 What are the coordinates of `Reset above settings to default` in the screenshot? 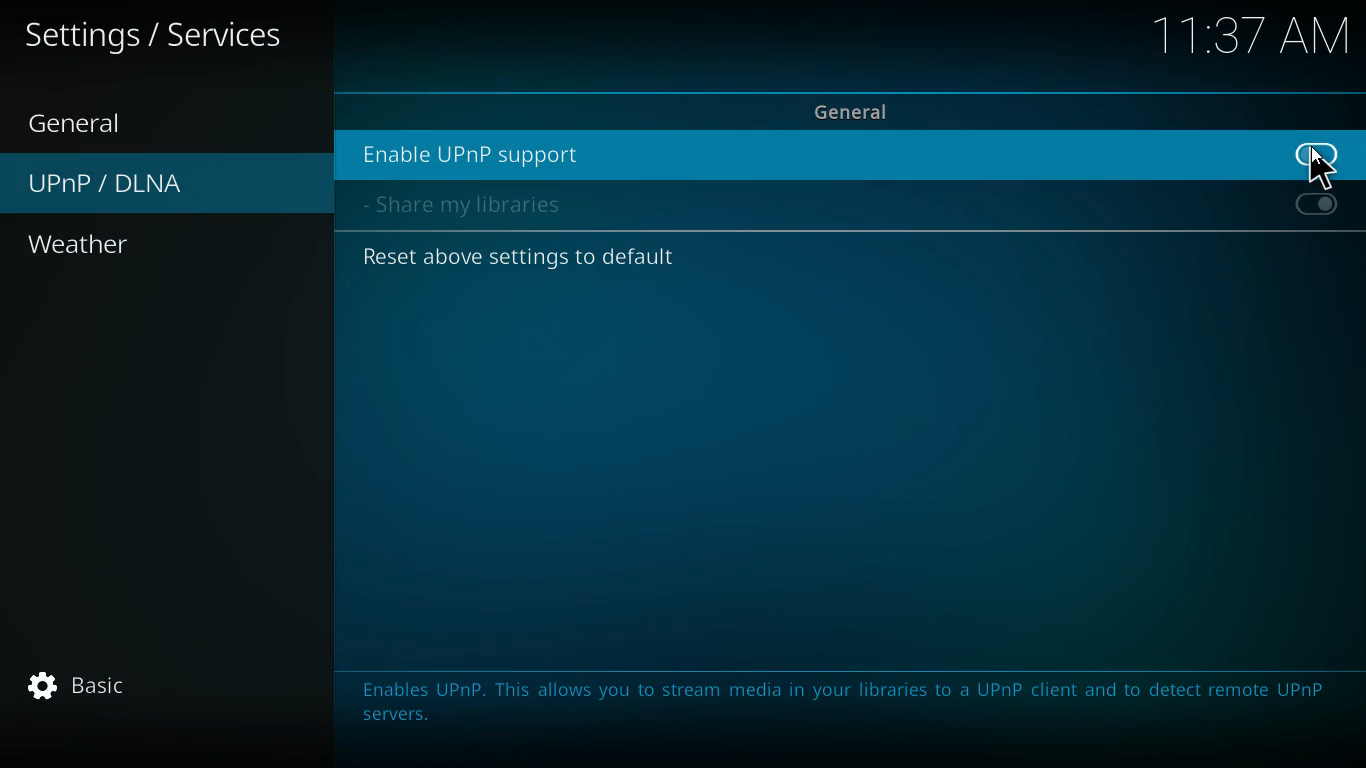 It's located at (522, 262).